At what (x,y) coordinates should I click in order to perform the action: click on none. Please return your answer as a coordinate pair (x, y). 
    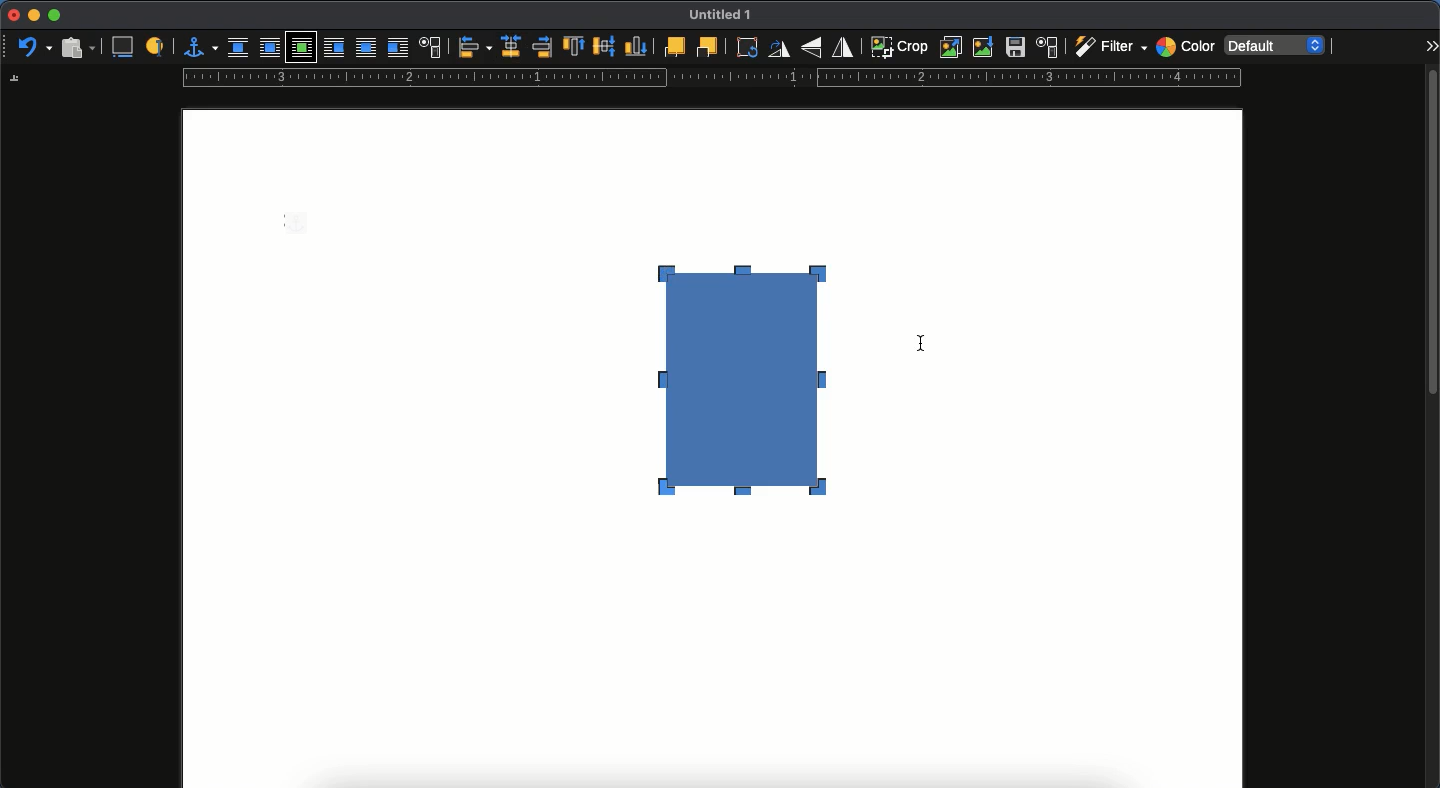
    Looking at the image, I should click on (238, 48).